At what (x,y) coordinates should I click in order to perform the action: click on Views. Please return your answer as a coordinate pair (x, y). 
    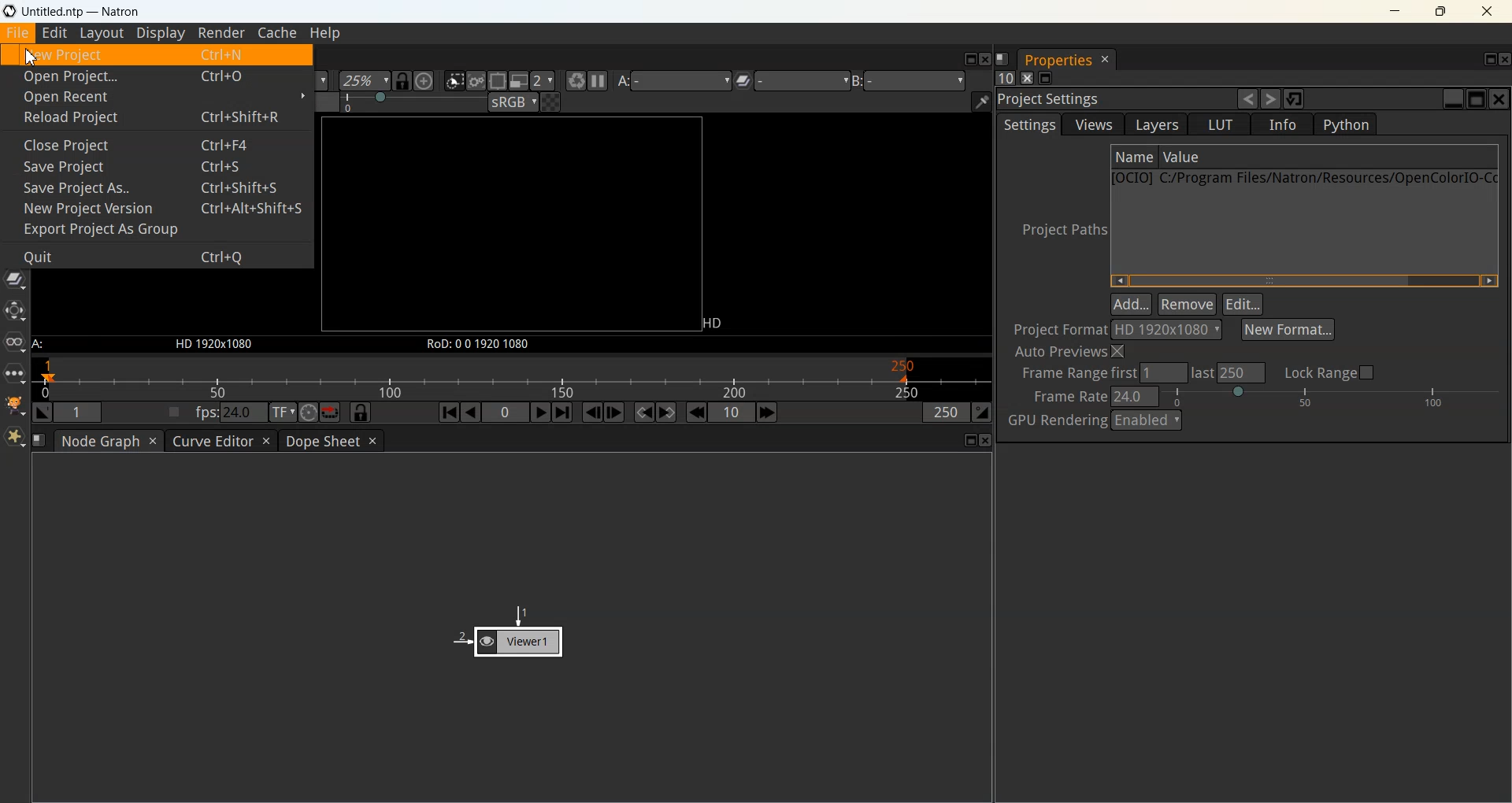
    Looking at the image, I should click on (1091, 124).